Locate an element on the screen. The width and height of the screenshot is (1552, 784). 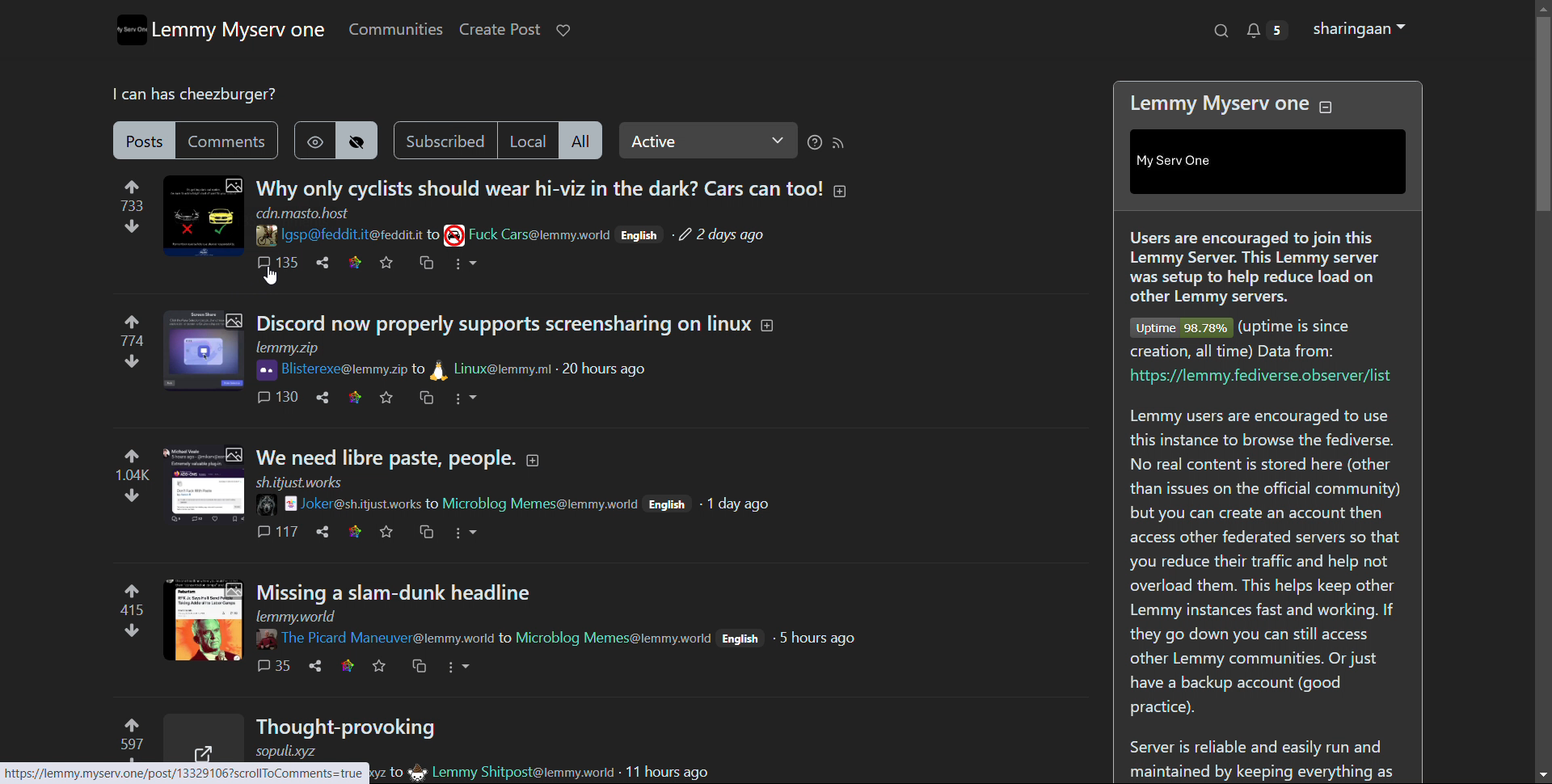
search is located at coordinates (1220, 30).